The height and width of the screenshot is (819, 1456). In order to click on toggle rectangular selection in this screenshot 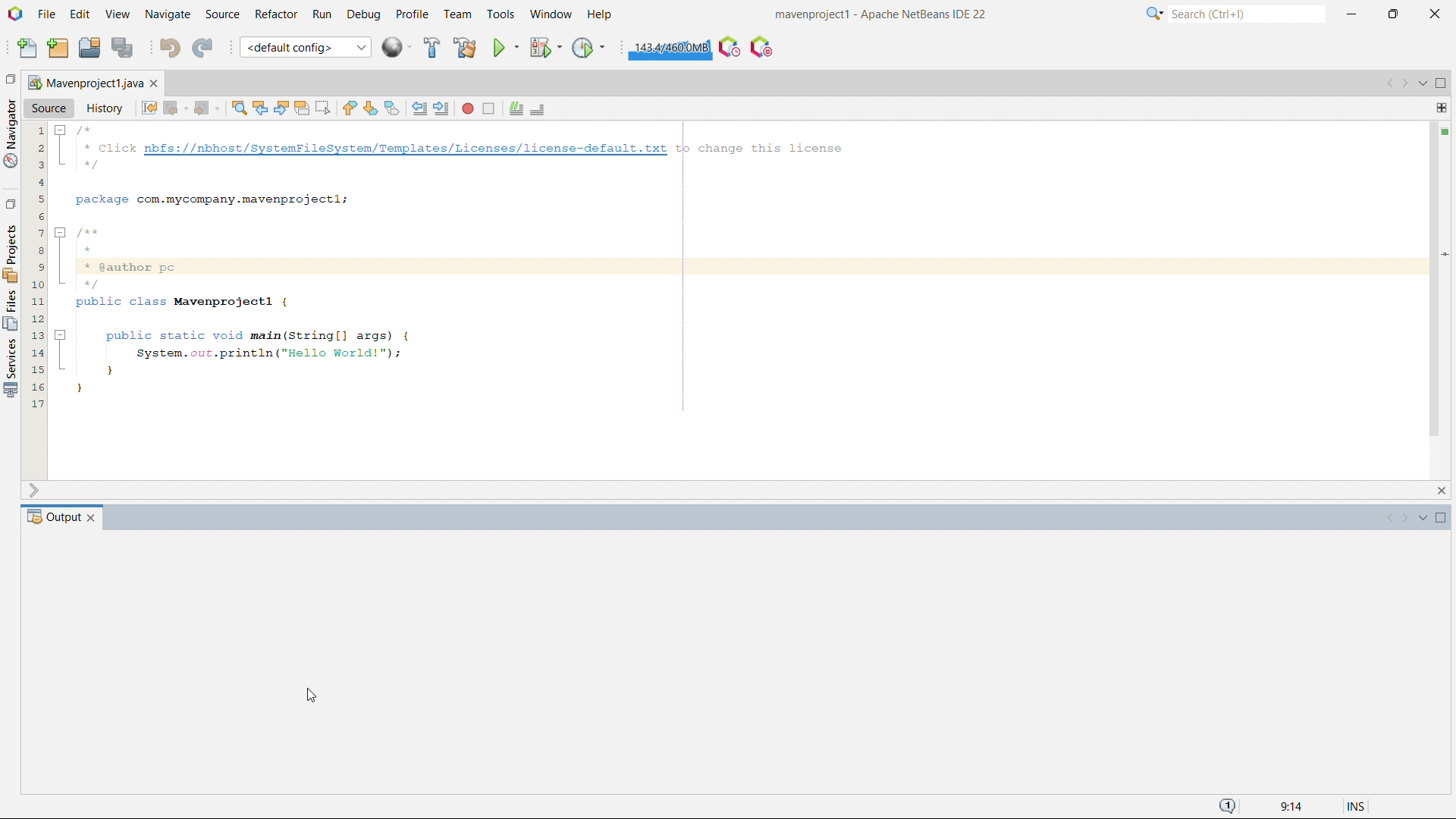, I will do `click(324, 111)`.